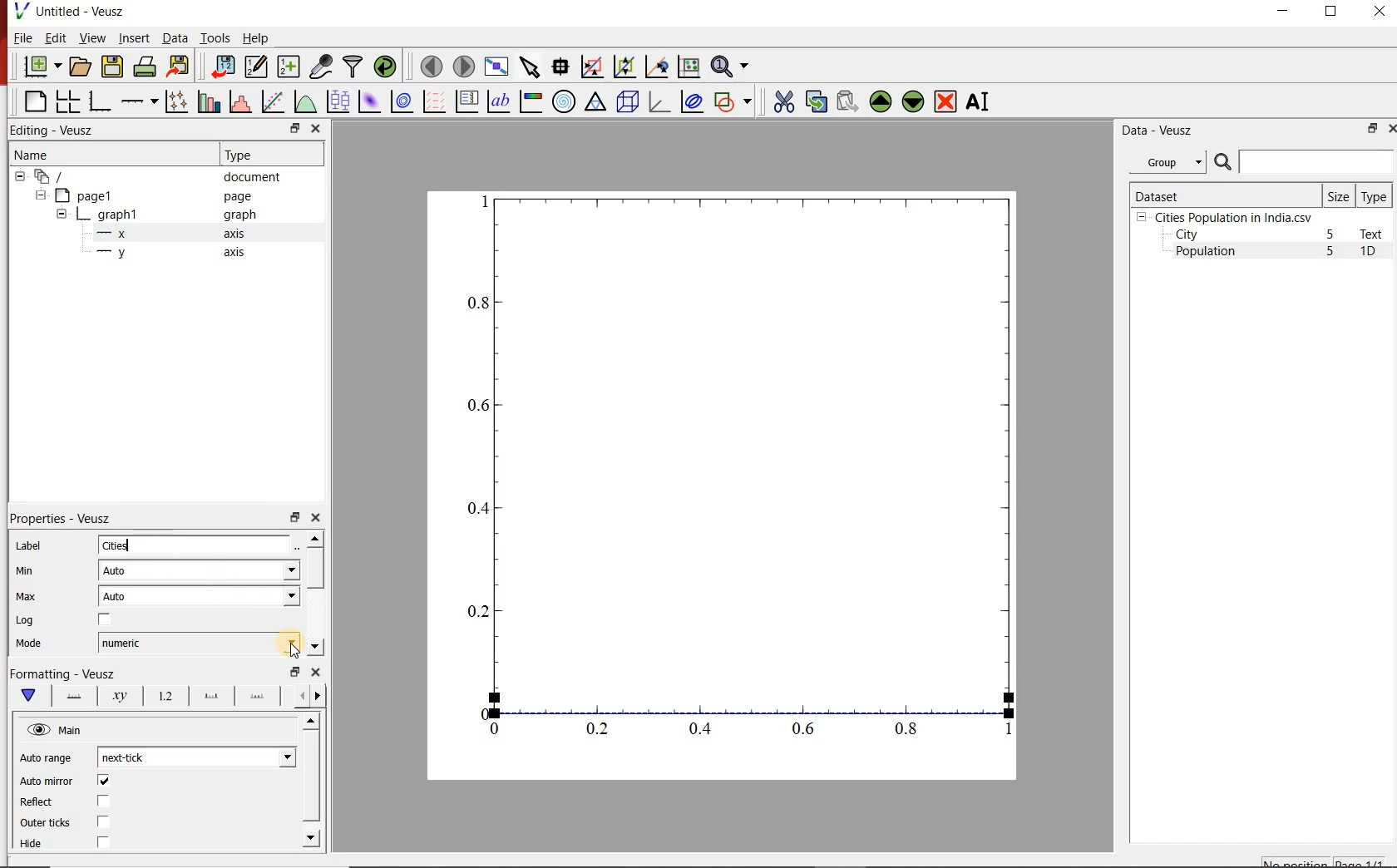  Describe the element at coordinates (27, 545) in the screenshot. I see `Label` at that location.